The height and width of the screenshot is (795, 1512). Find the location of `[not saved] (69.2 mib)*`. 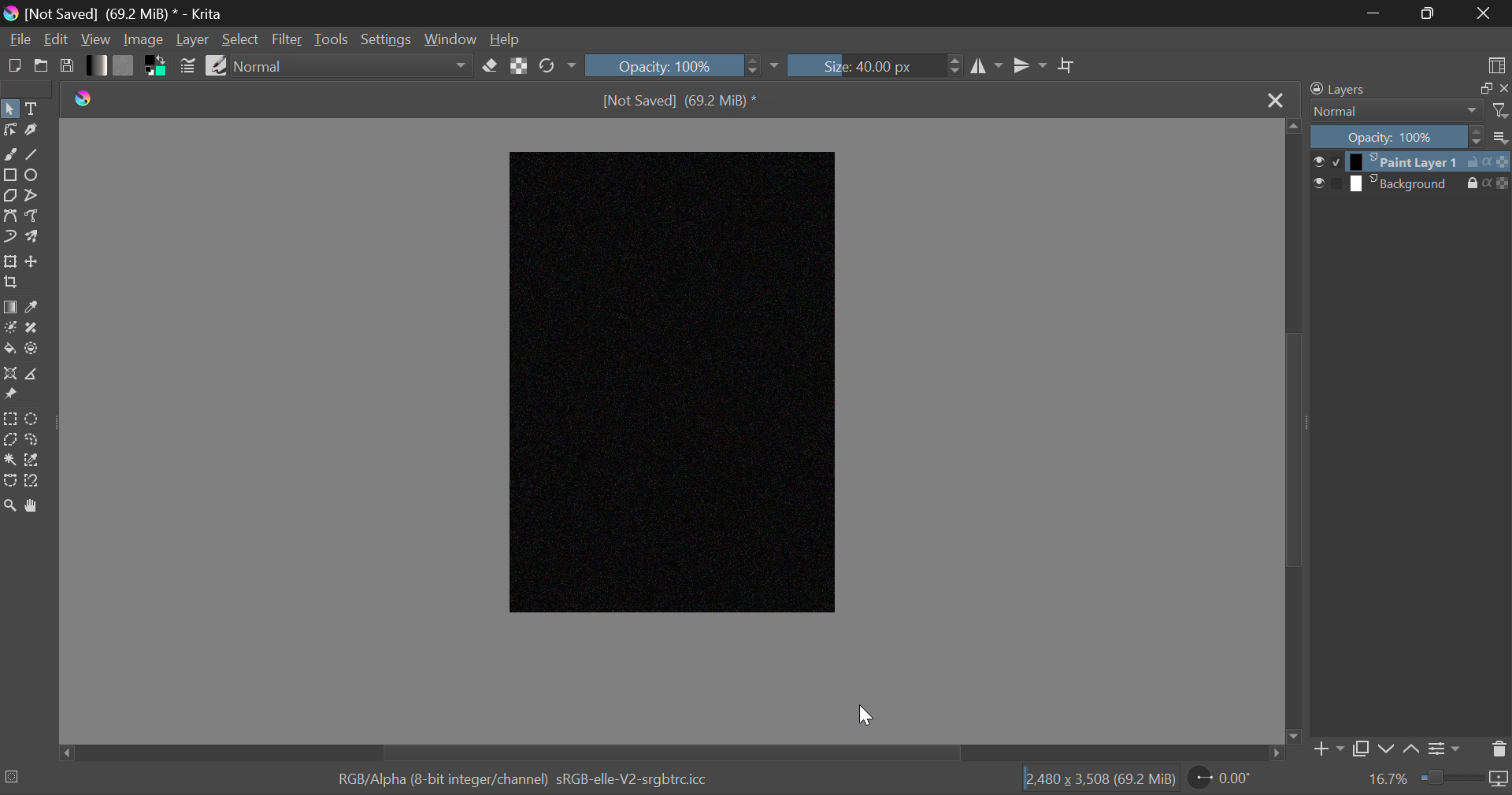

[not saved] (69.2 mib)* is located at coordinates (684, 99).